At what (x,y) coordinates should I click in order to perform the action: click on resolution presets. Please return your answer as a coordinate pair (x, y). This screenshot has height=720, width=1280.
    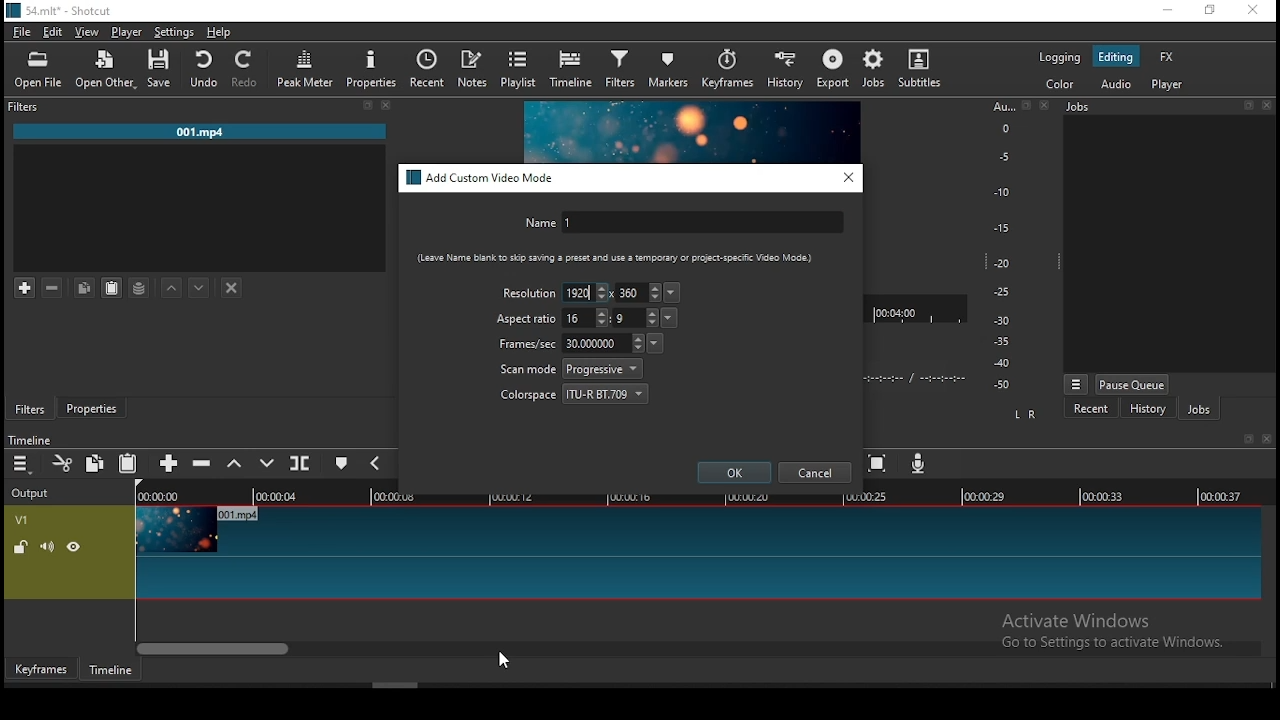
    Looking at the image, I should click on (674, 293).